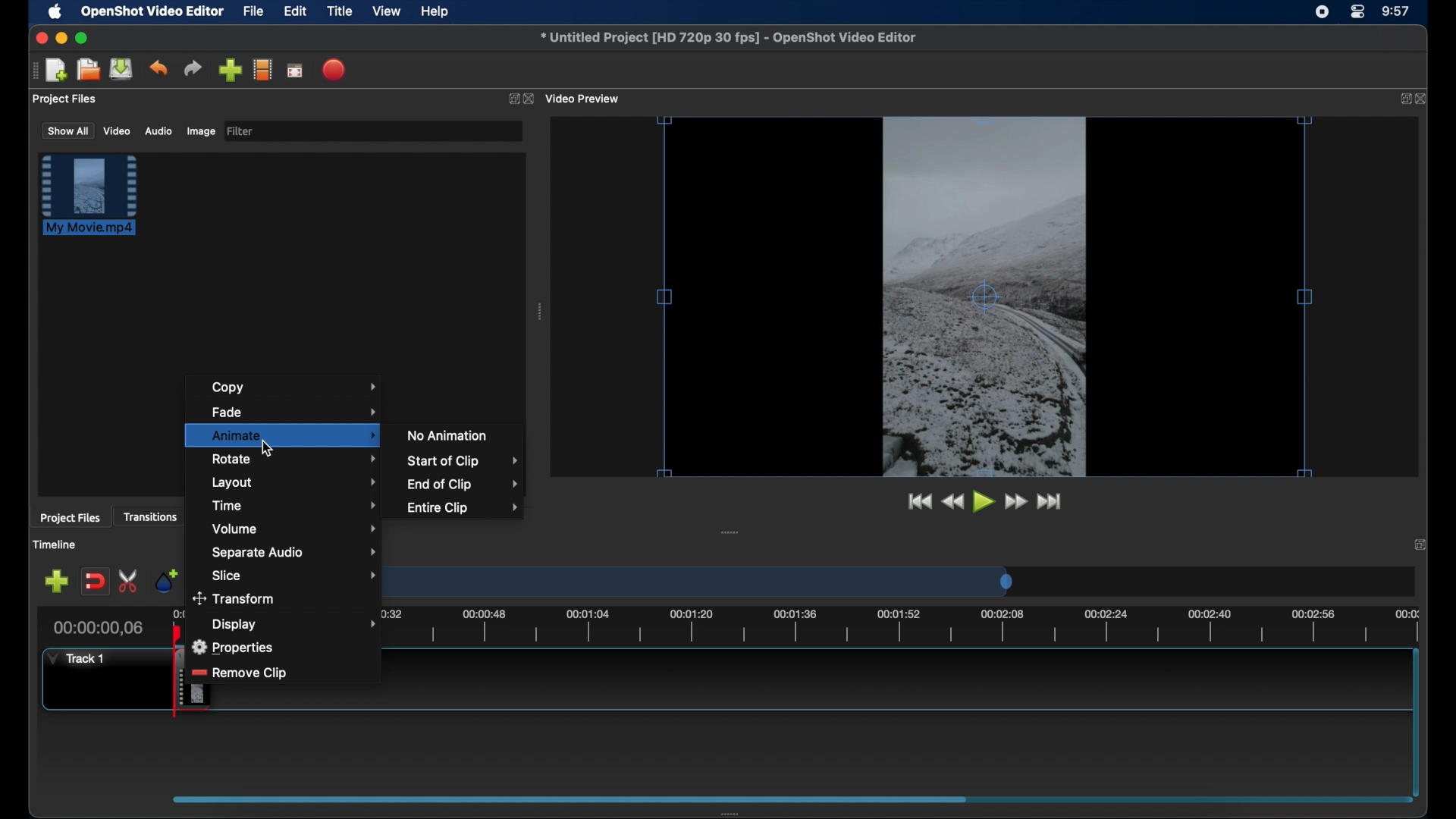 The width and height of the screenshot is (1456, 819). Describe the element at coordinates (294, 387) in the screenshot. I see `copy menu` at that location.